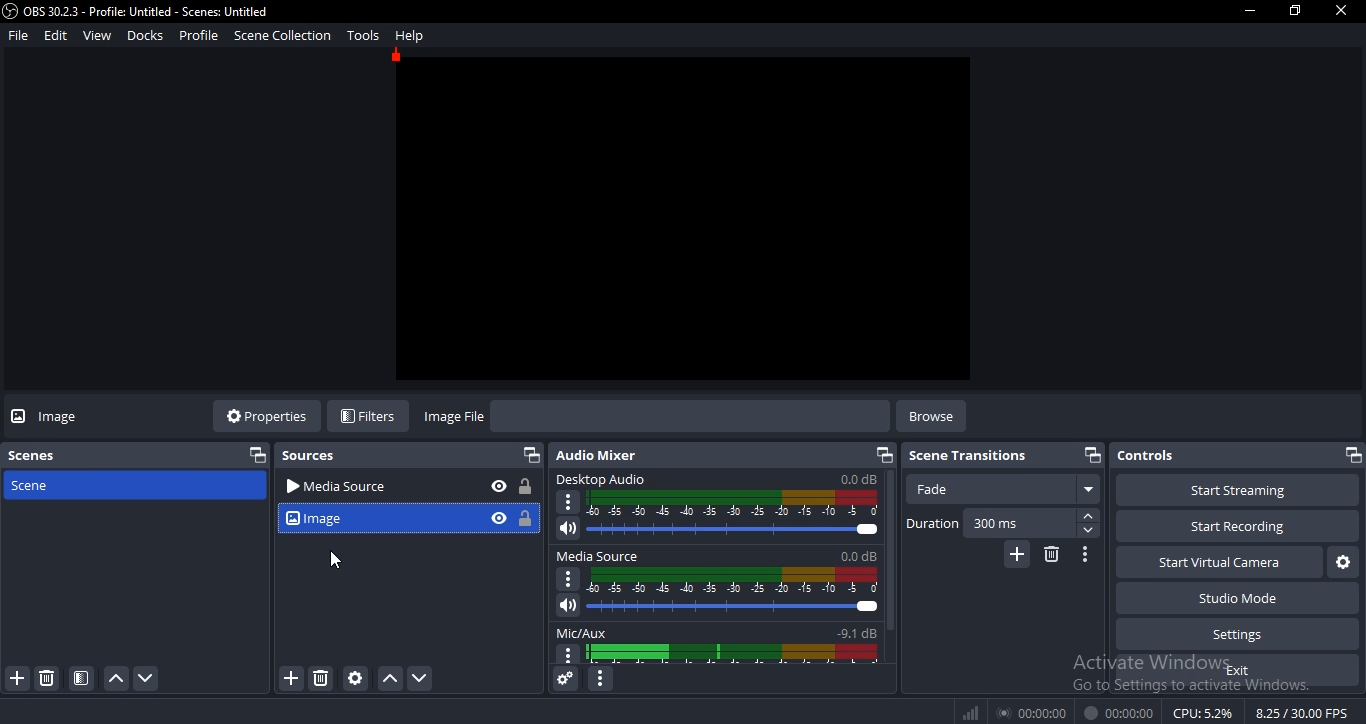  What do you see at coordinates (524, 517) in the screenshot?
I see `lock` at bounding box center [524, 517].